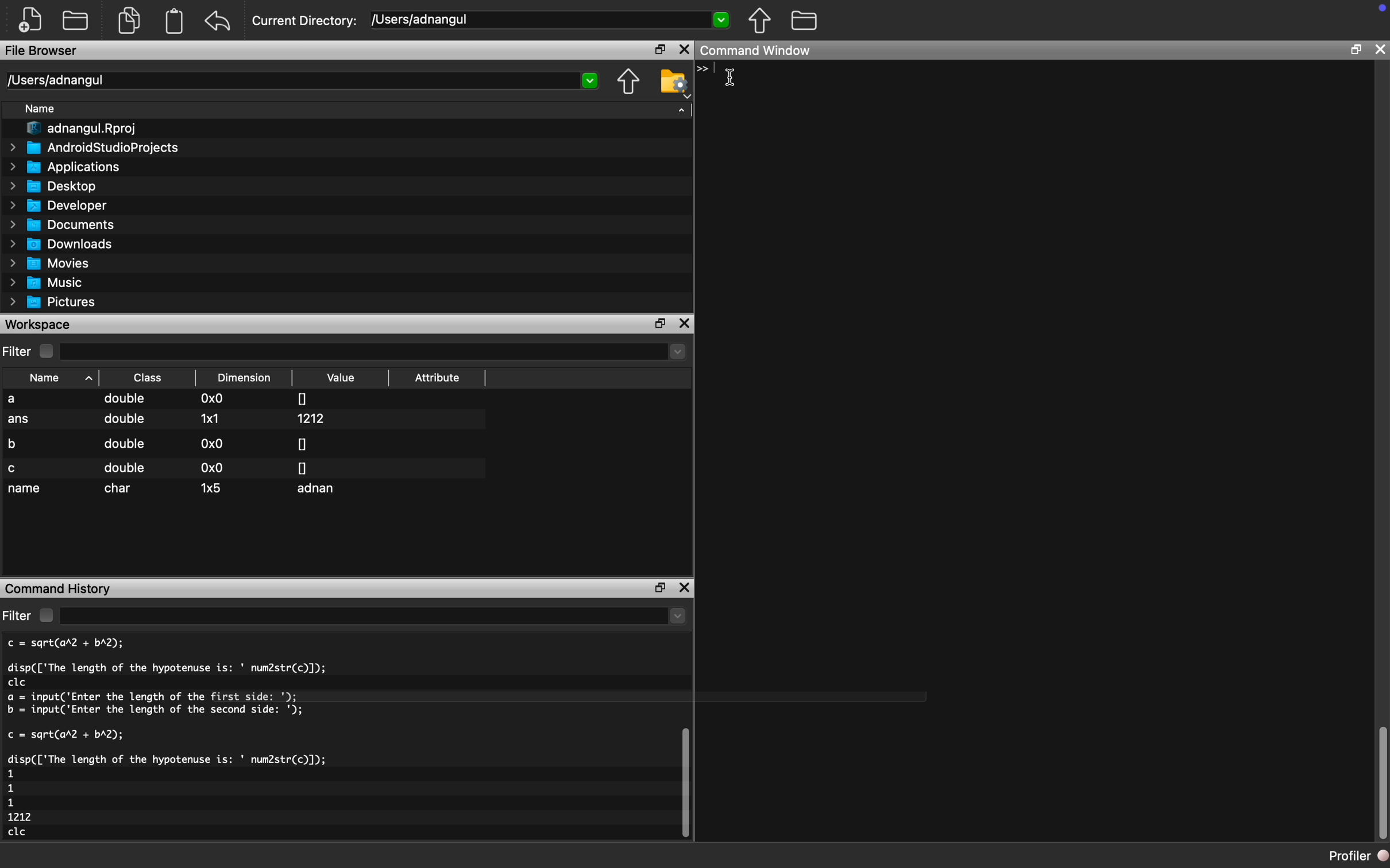  What do you see at coordinates (77, 19) in the screenshot?
I see `open folder` at bounding box center [77, 19].